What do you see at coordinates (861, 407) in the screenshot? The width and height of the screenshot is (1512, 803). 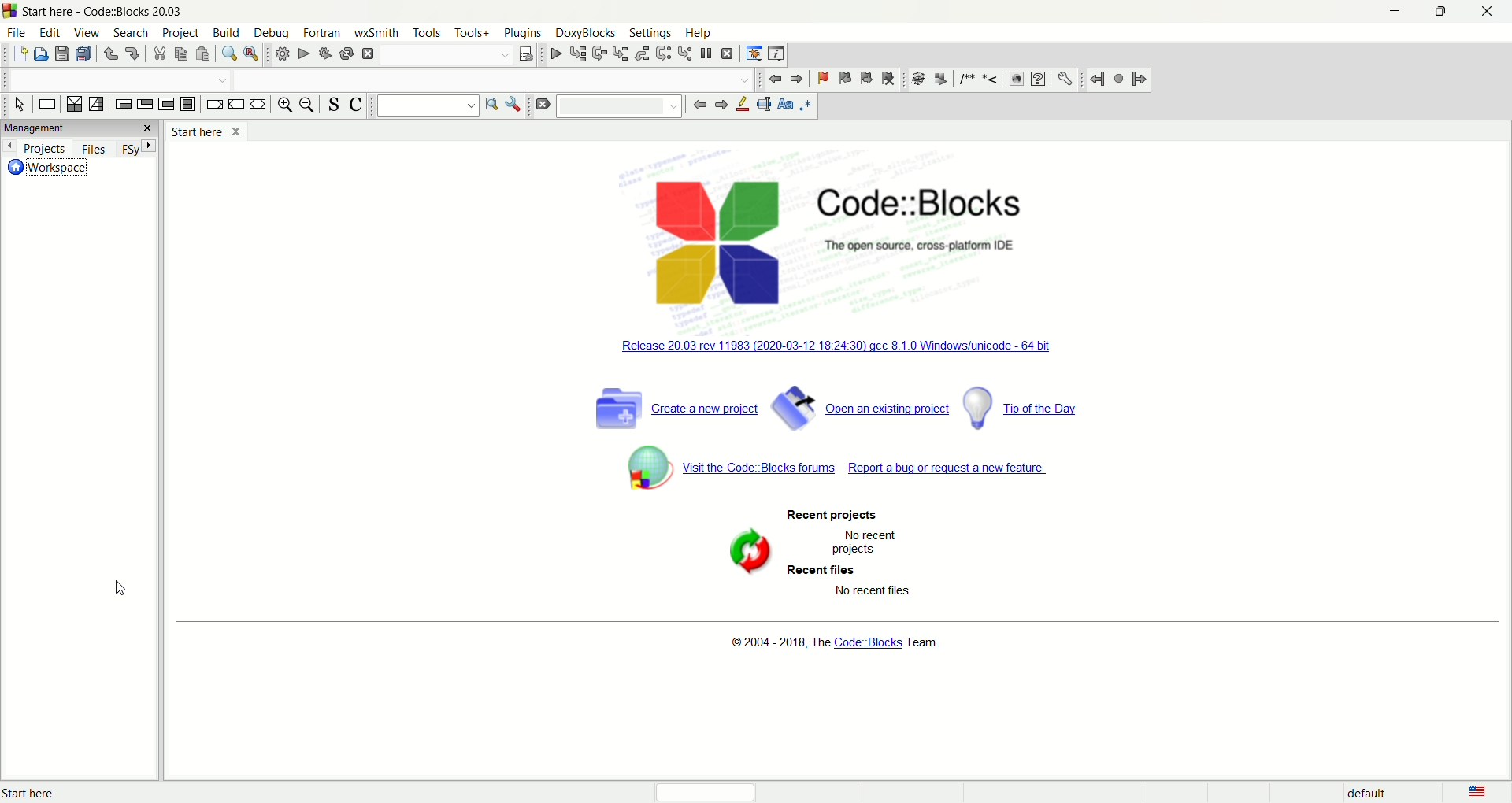 I see `open a project` at bounding box center [861, 407].